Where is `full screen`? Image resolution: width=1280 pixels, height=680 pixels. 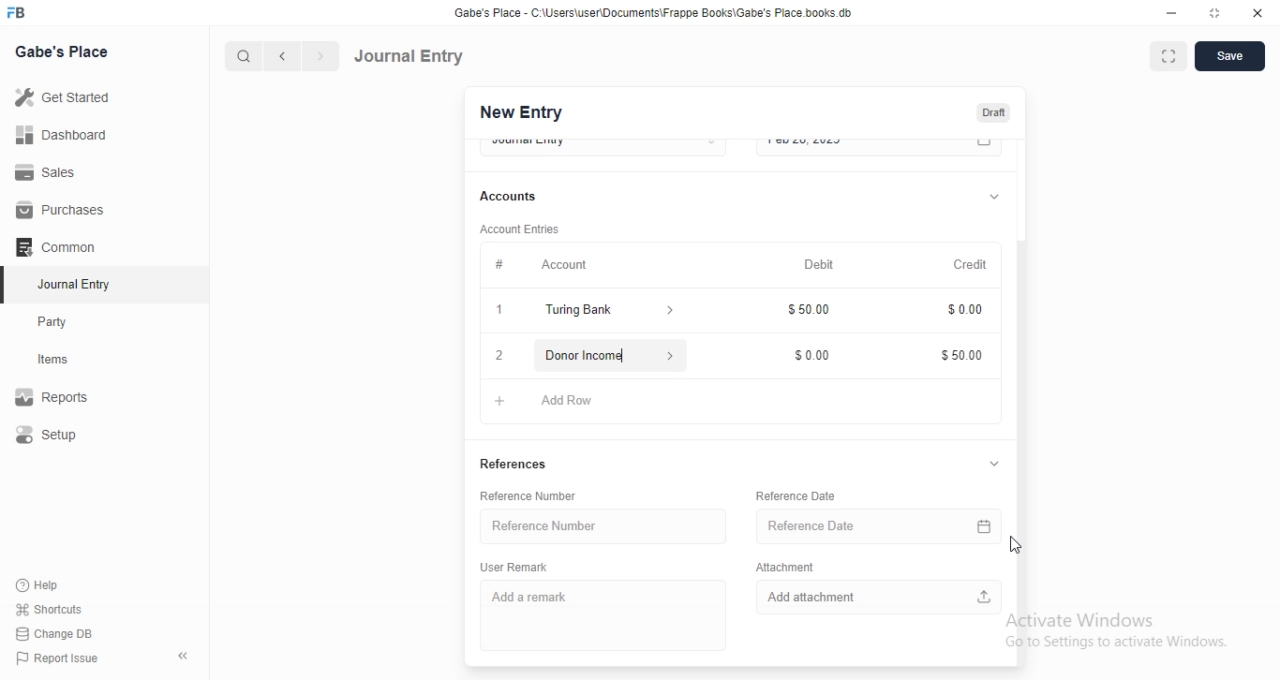
full screen is located at coordinates (1172, 57).